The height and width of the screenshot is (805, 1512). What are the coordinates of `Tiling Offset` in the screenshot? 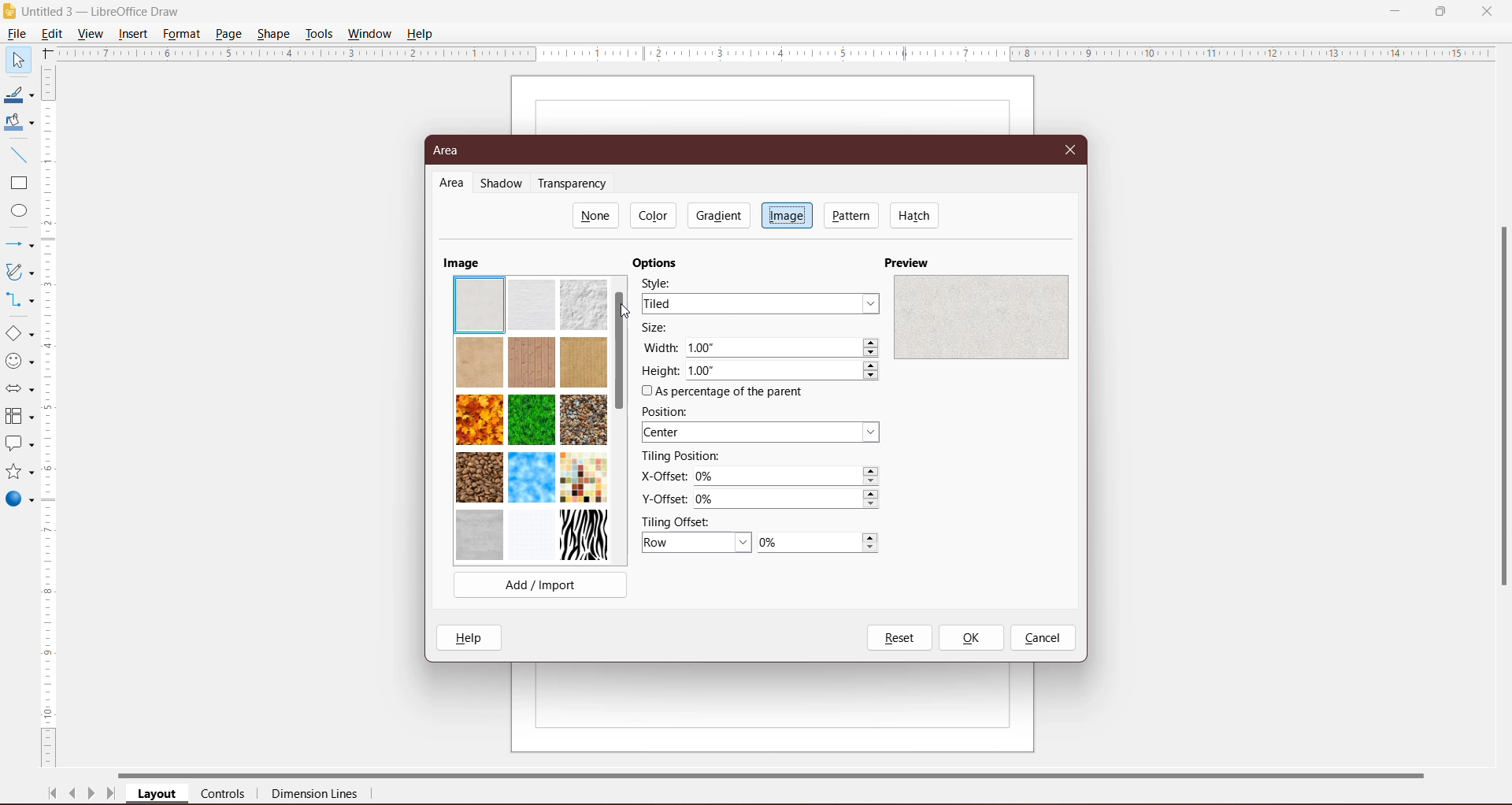 It's located at (683, 521).